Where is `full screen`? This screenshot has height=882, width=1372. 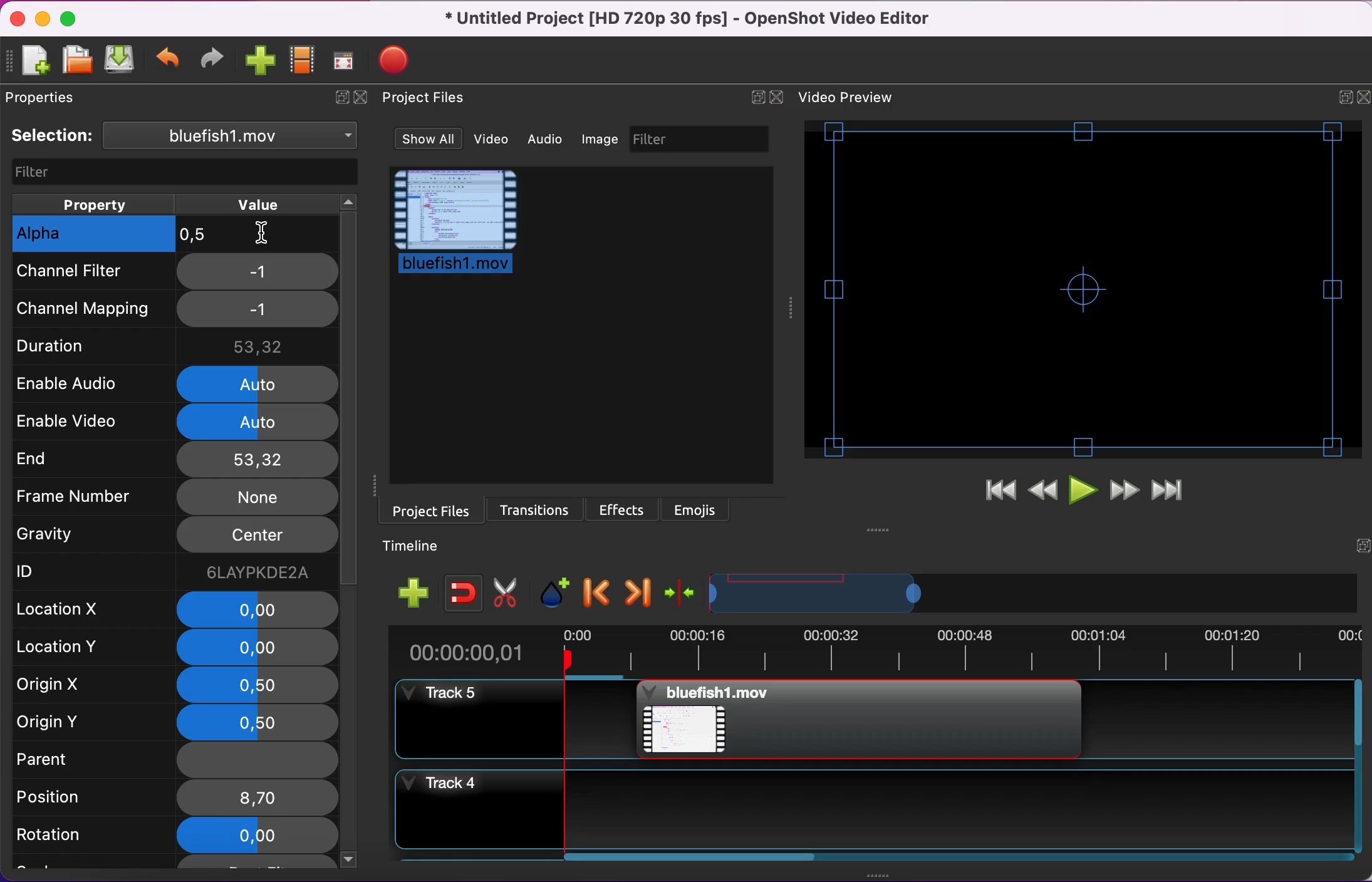 full screen is located at coordinates (346, 56).